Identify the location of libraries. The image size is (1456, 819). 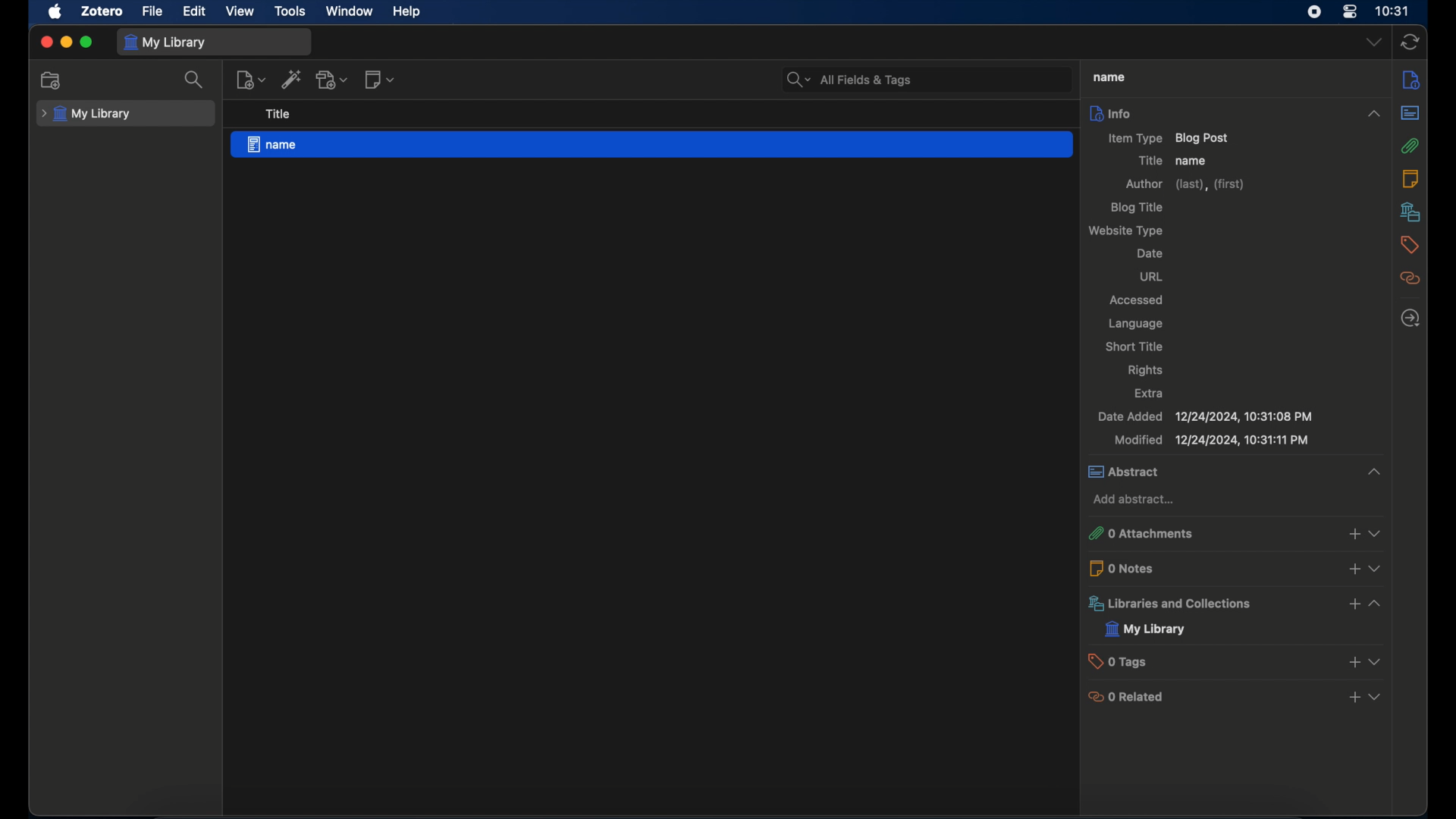
(1410, 212).